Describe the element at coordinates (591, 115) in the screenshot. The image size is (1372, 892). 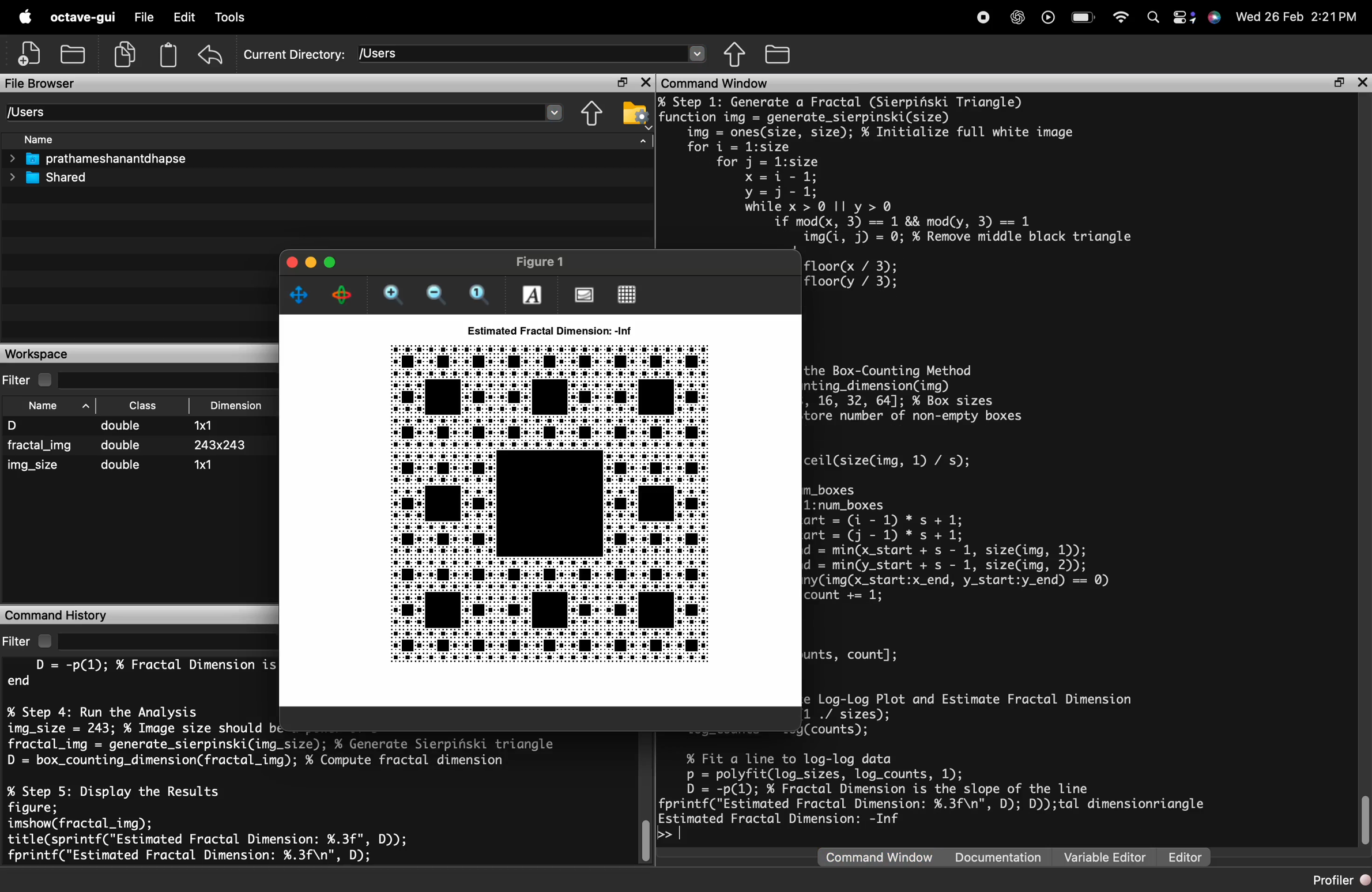
I see `one directory up` at that location.